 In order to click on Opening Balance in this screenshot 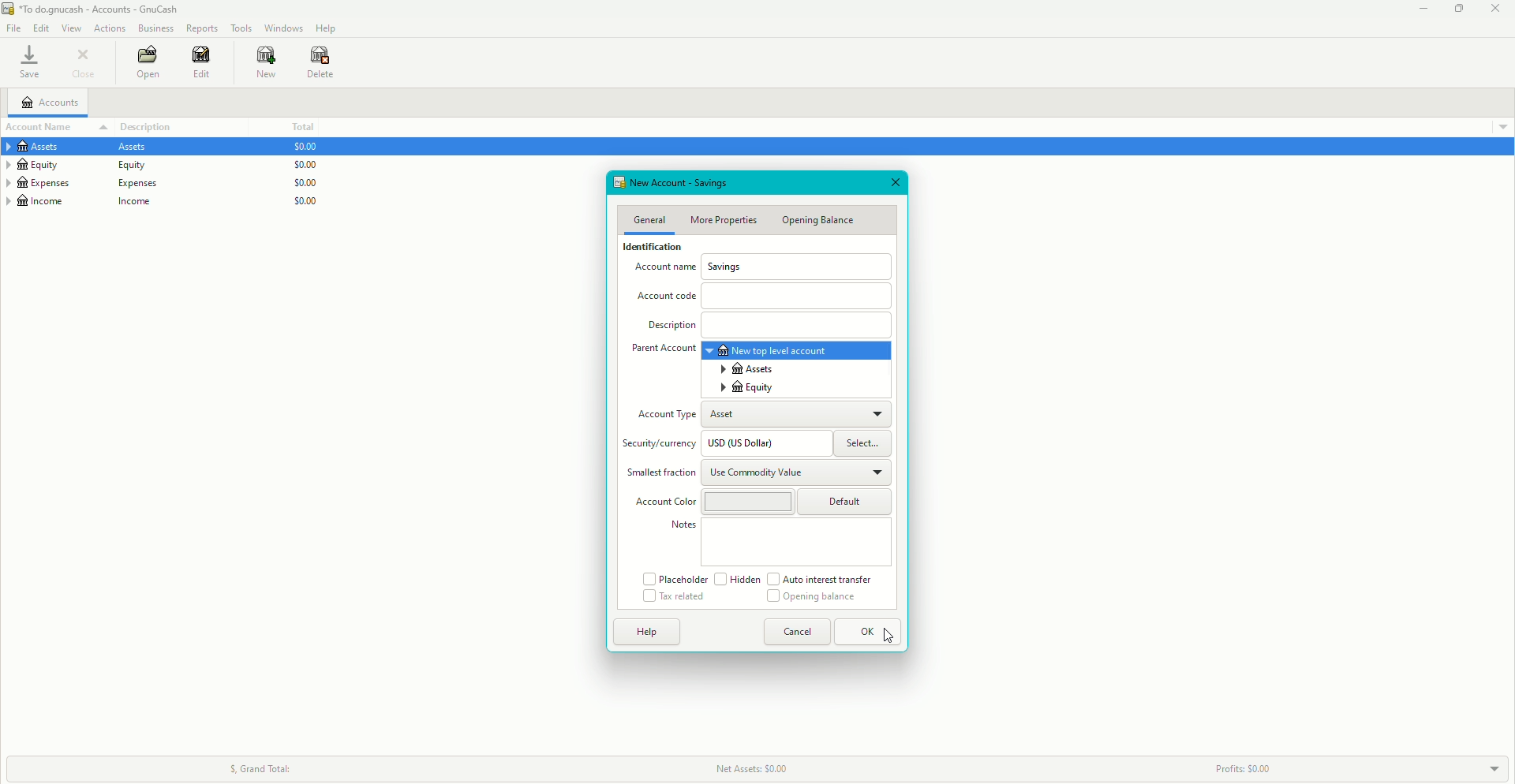, I will do `click(819, 220)`.